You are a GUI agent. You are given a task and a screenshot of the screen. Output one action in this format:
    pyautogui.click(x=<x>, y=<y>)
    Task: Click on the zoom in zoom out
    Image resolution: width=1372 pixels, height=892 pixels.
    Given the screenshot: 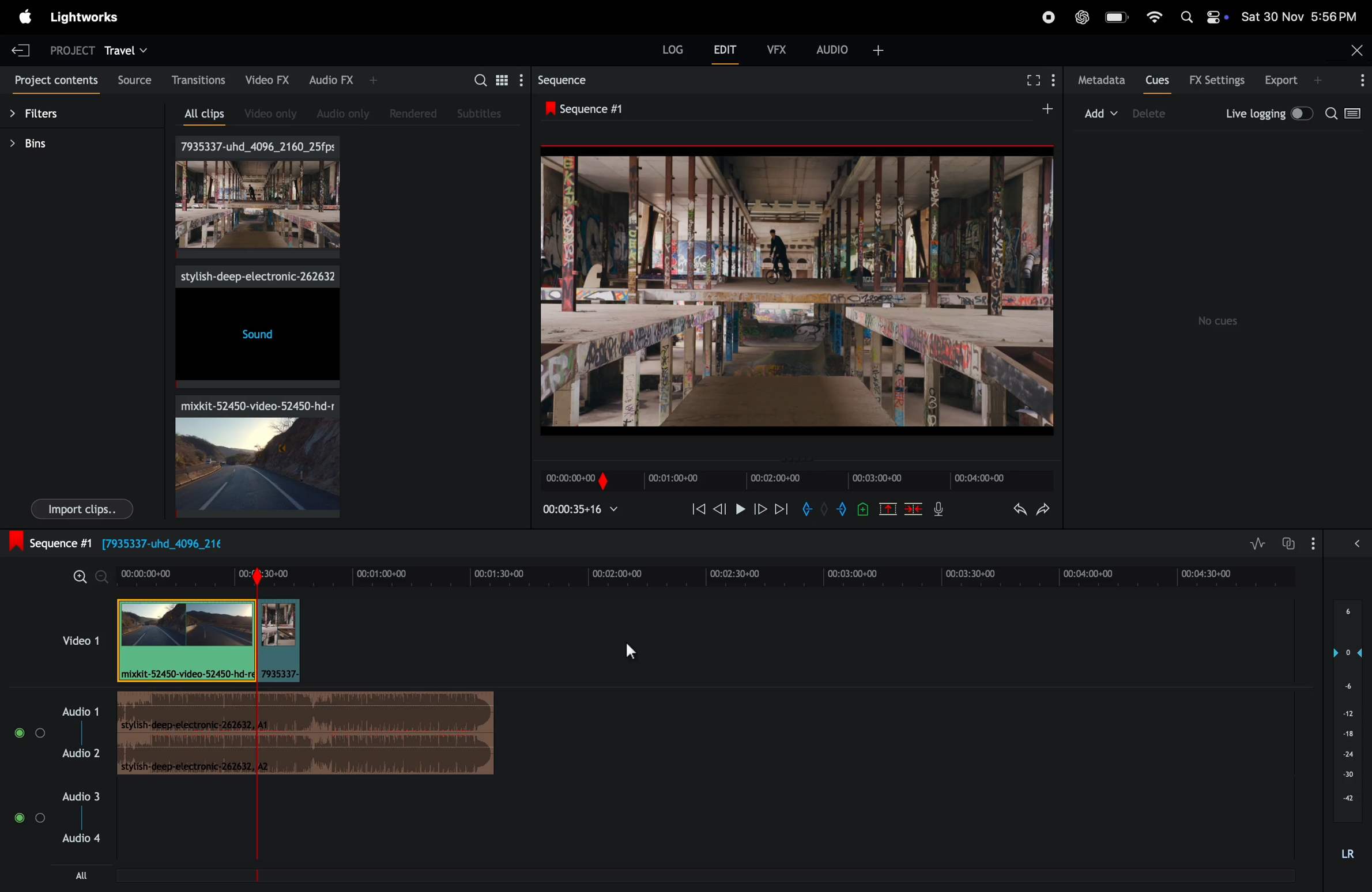 What is the action you would take?
    pyautogui.click(x=82, y=576)
    